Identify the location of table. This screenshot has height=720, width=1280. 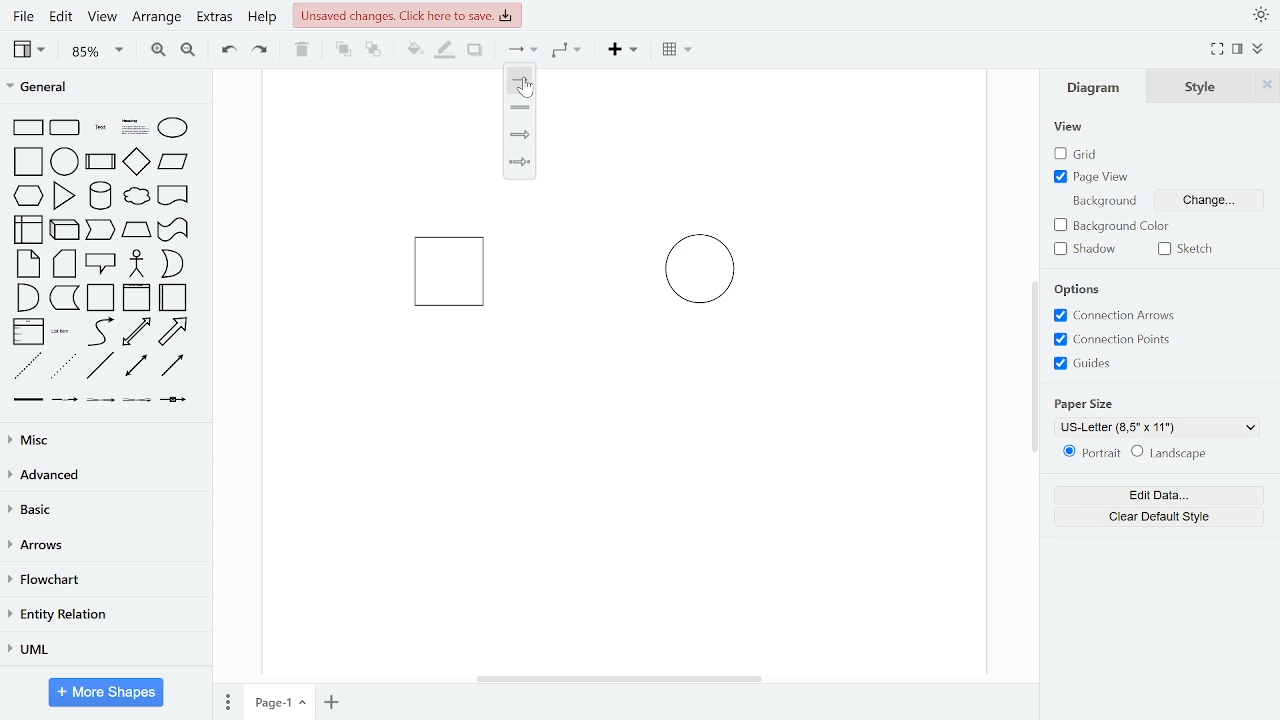
(679, 51).